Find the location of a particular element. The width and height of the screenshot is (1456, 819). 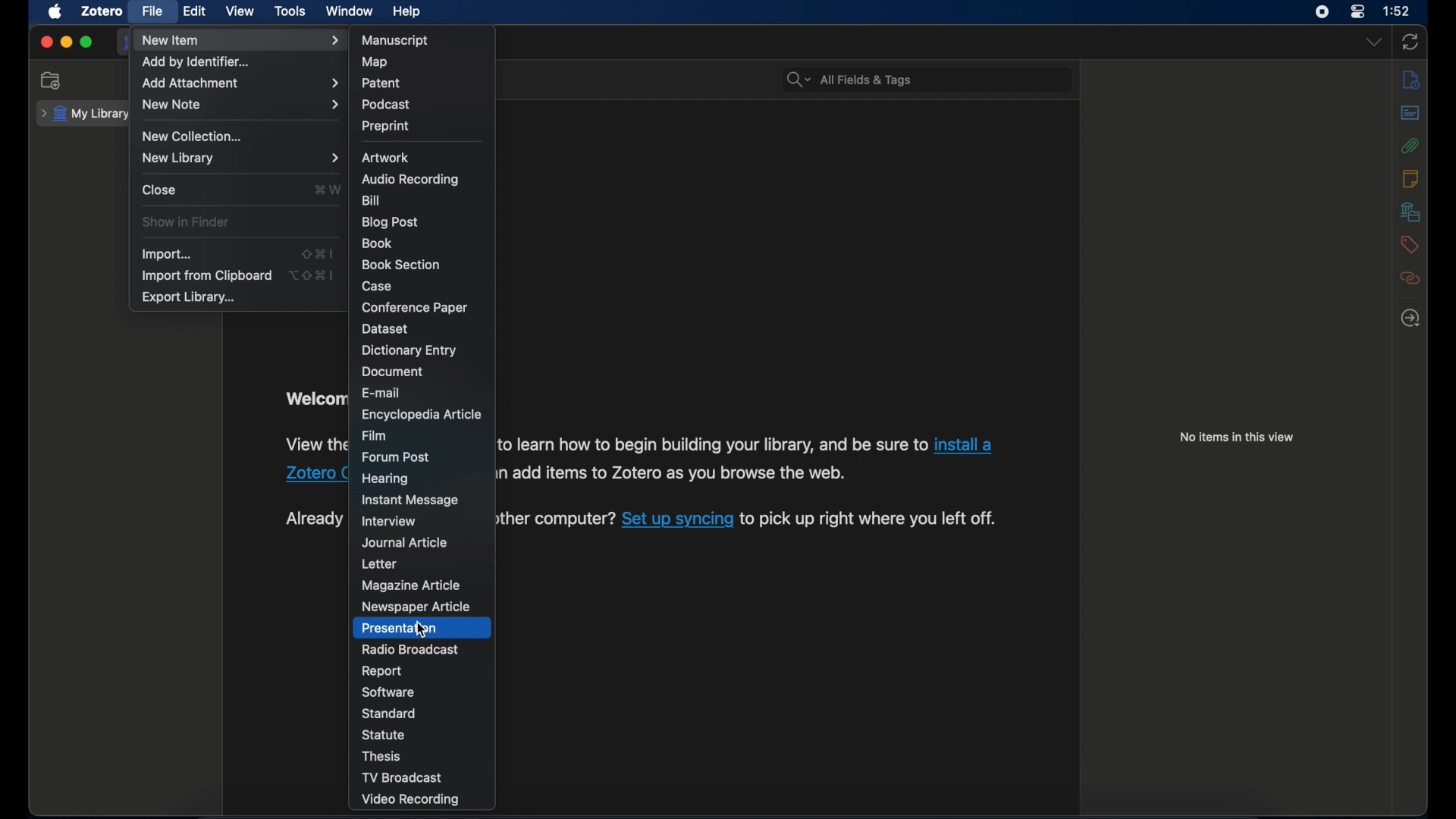

new library is located at coordinates (240, 158).